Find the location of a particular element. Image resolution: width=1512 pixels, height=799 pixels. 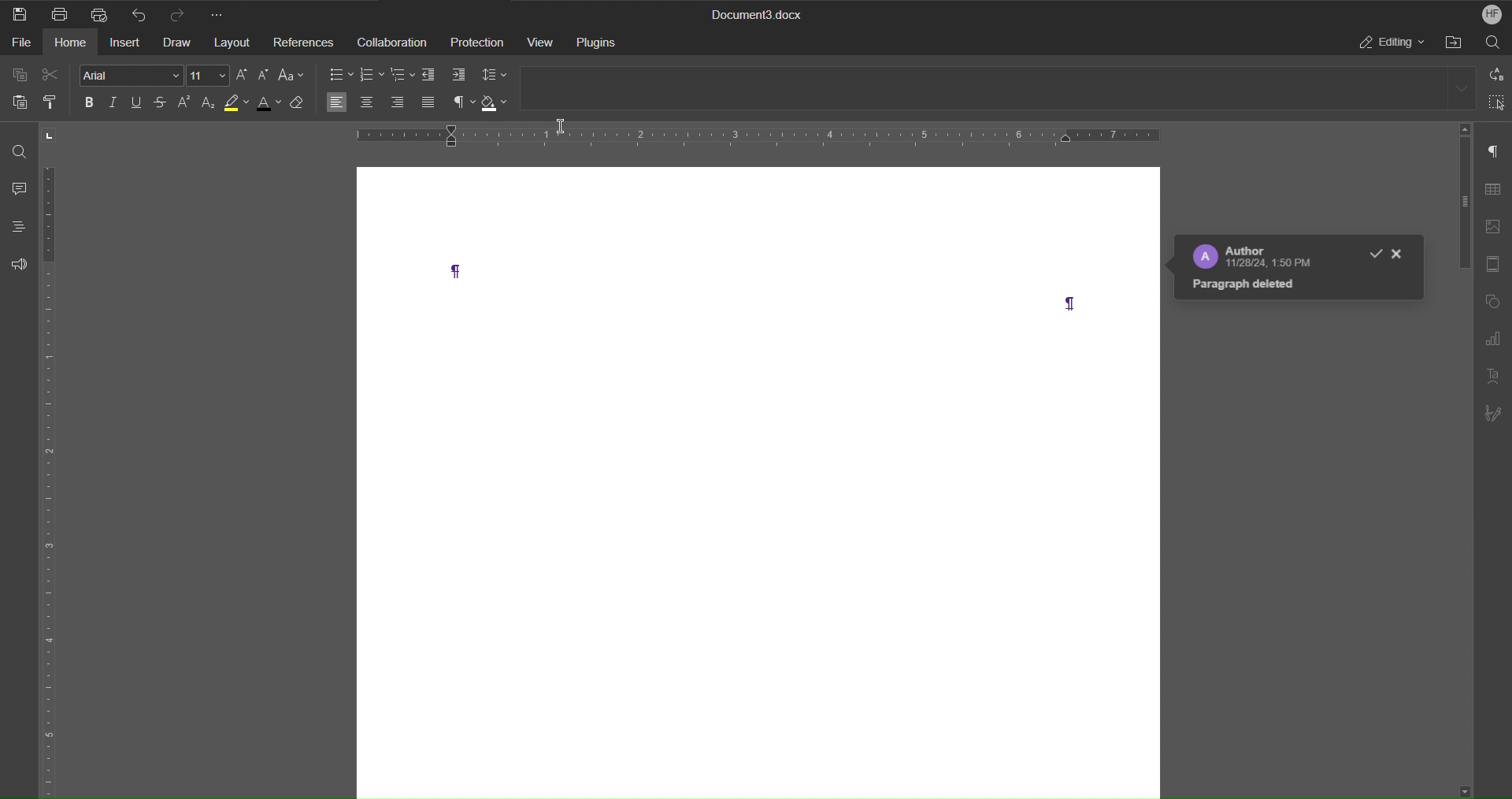

Table Settings is located at coordinates (1496, 188).